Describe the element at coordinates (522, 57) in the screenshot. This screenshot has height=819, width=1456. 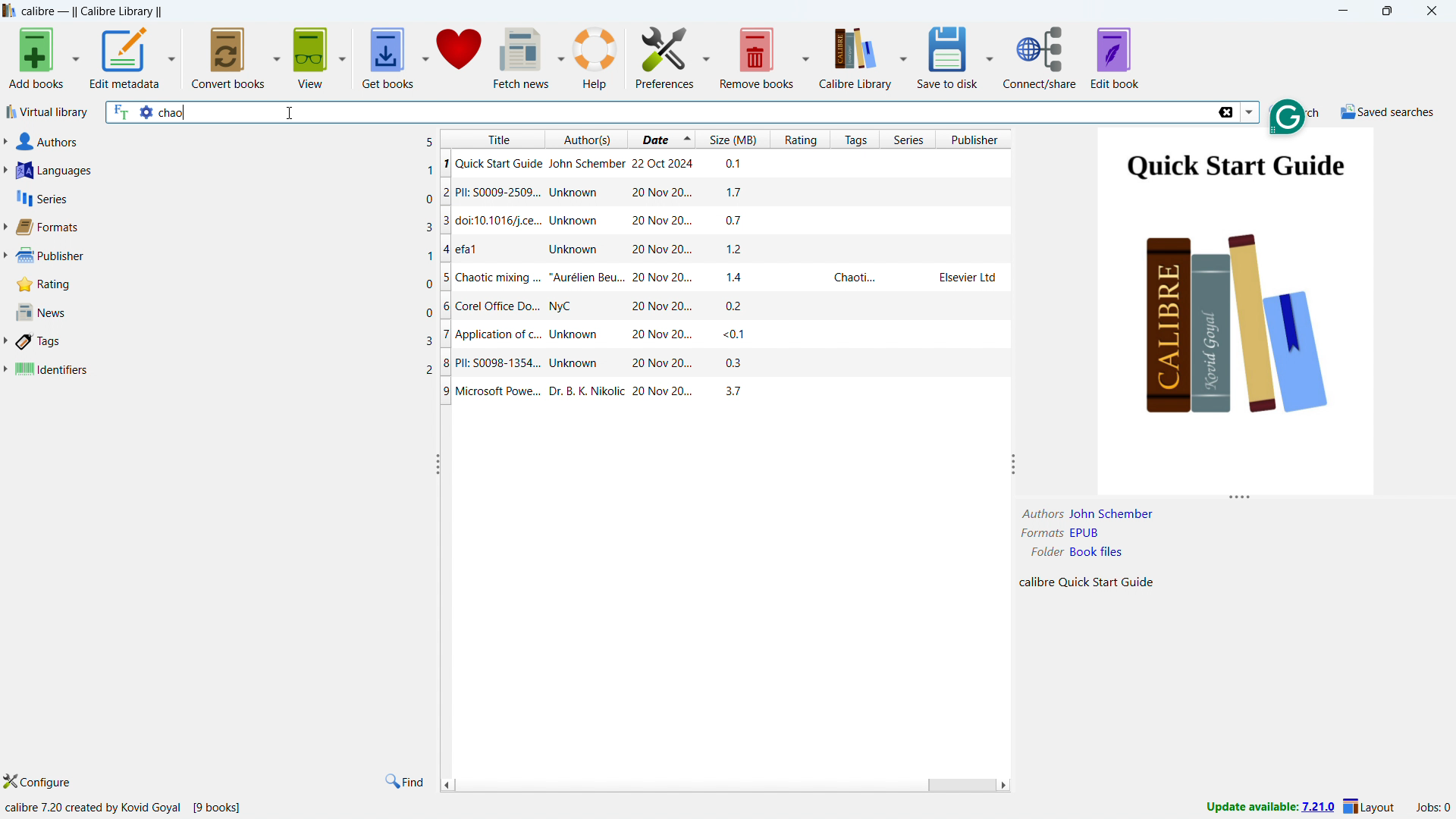
I see `fetch news` at that location.